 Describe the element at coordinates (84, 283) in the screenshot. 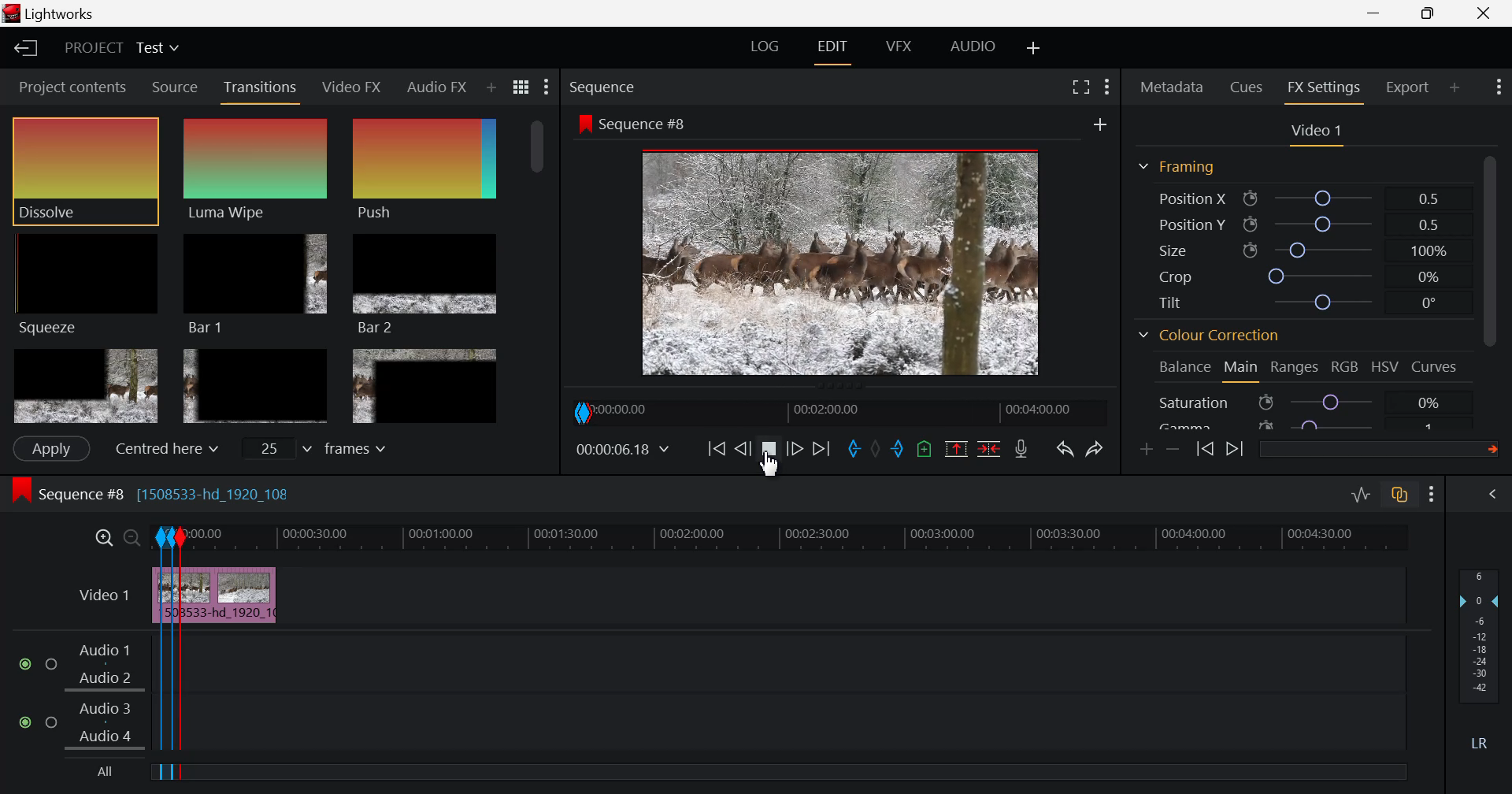

I see `Squeeze` at that location.